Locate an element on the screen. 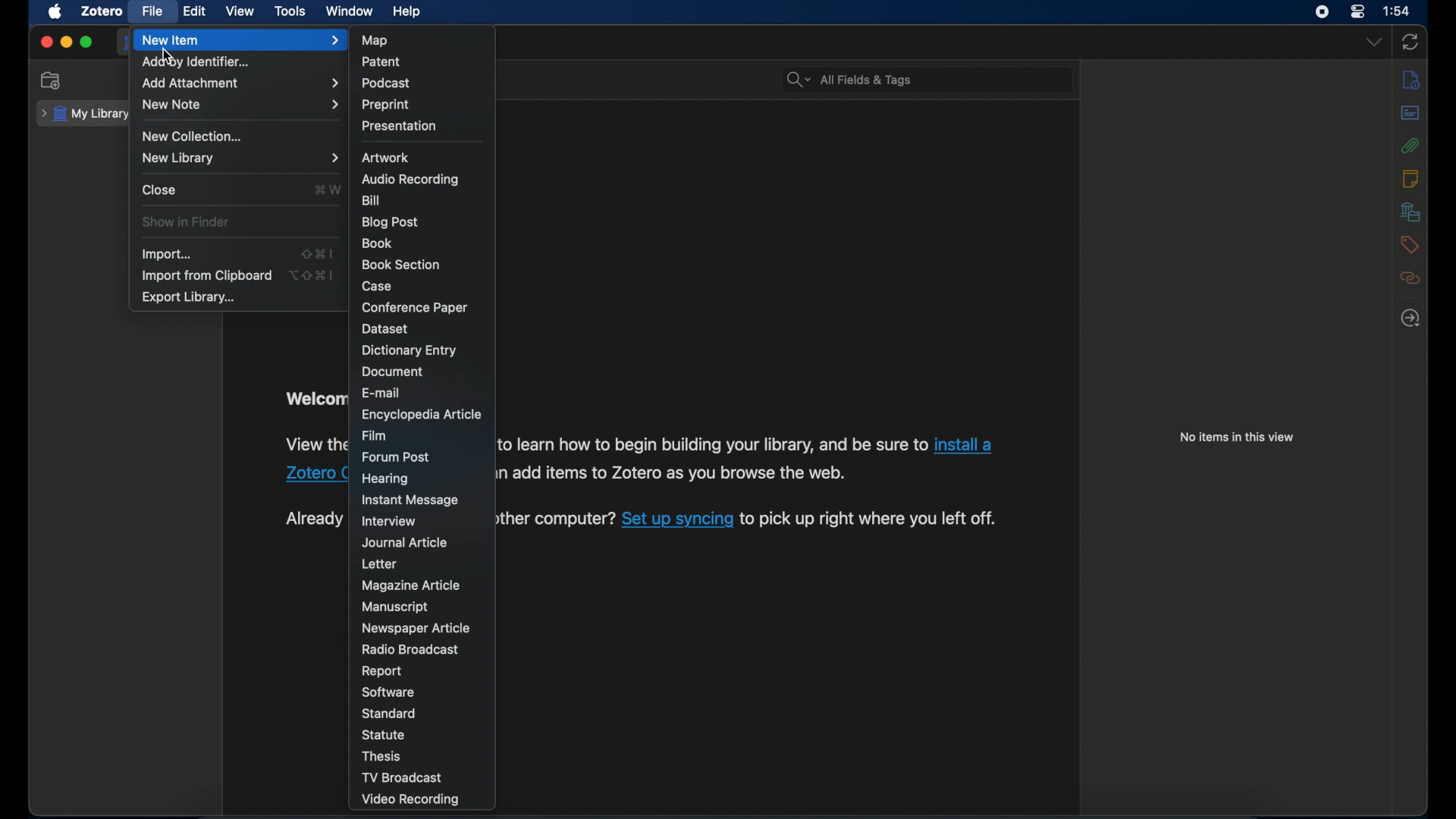  book section is located at coordinates (401, 265).